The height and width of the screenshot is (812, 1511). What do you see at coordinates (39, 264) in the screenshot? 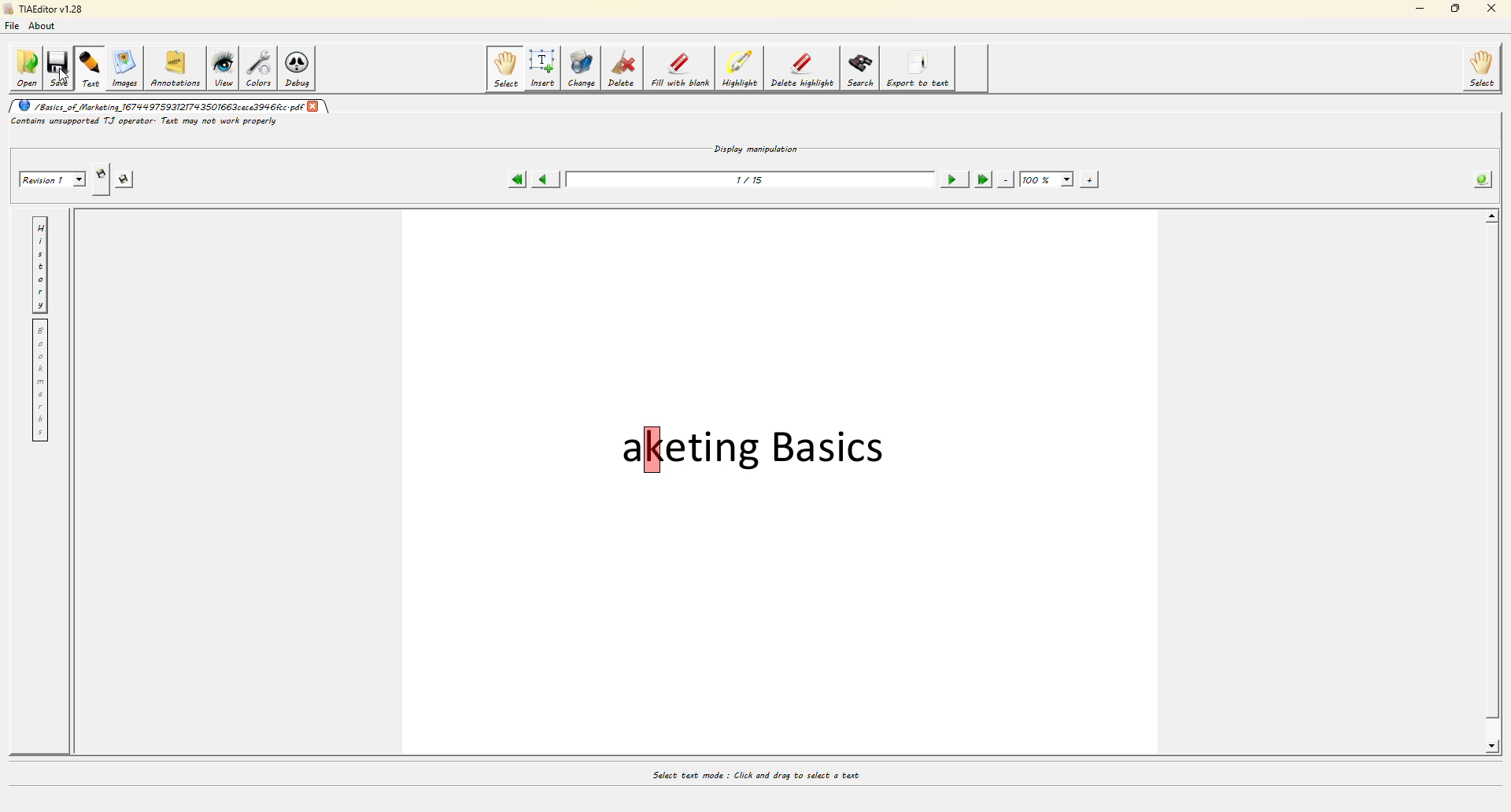
I see `history` at bounding box center [39, 264].